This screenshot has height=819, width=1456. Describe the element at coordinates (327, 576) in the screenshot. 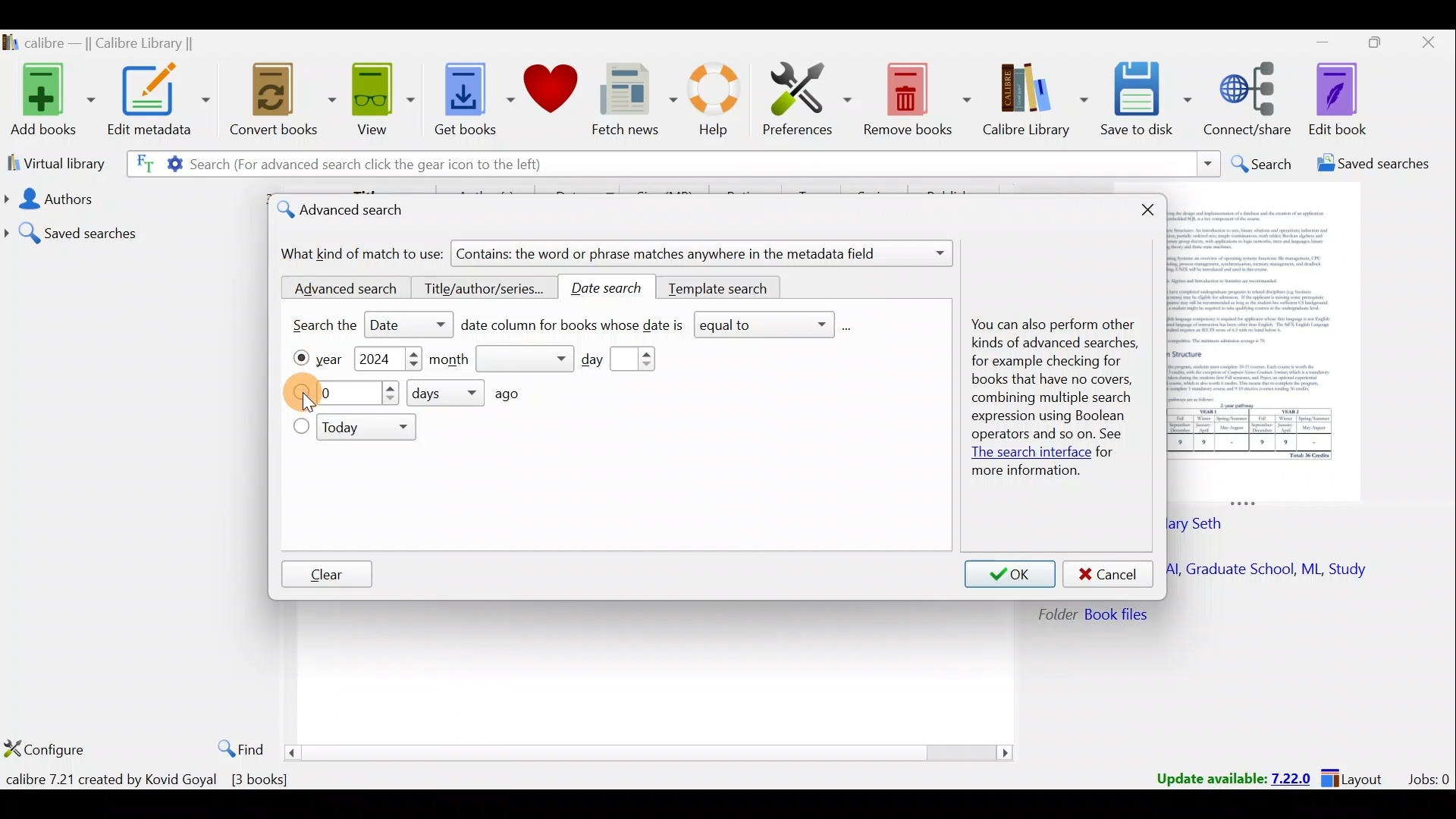

I see `Clear` at that location.